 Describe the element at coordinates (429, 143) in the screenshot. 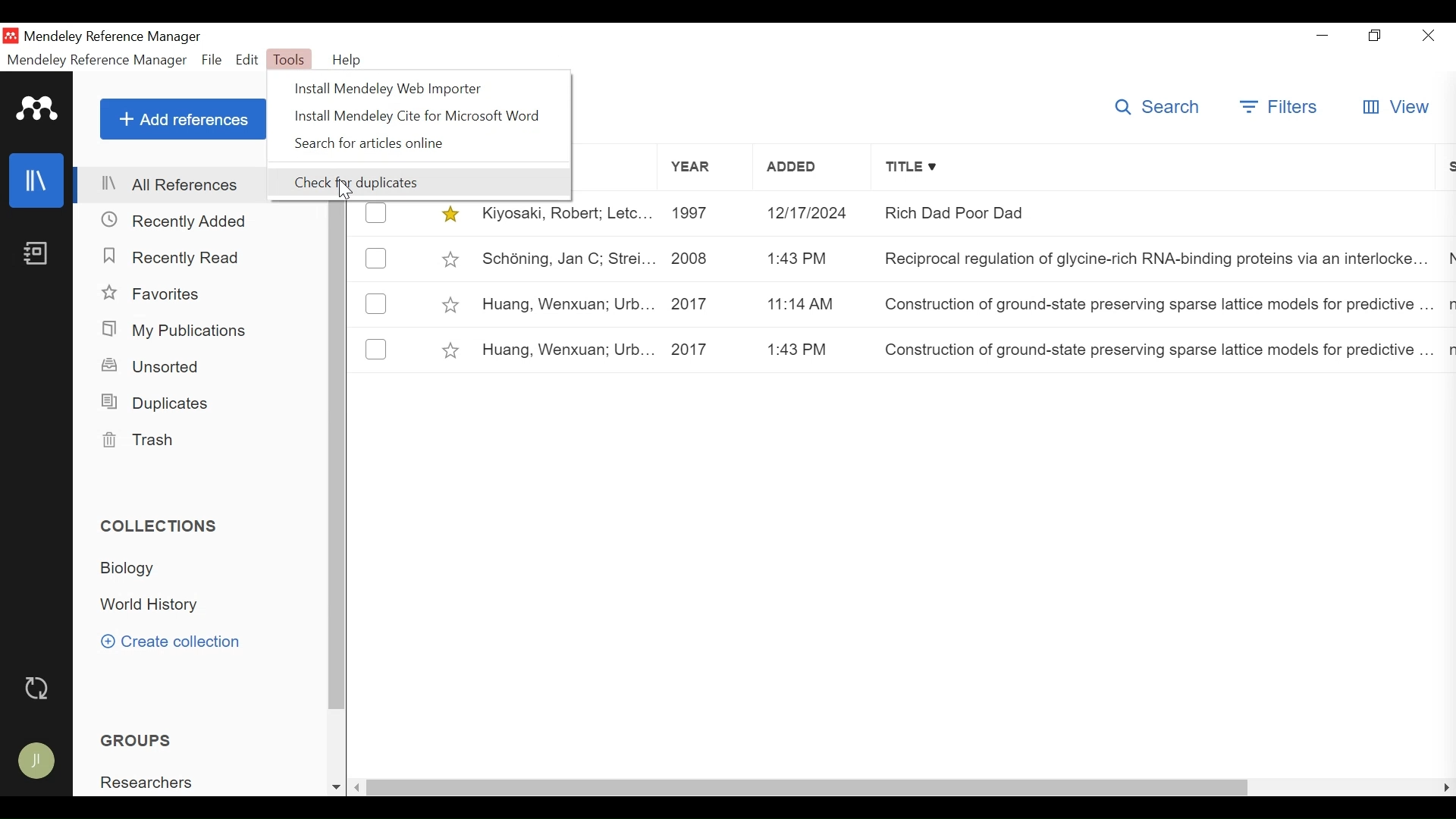

I see `Search for articles` at that location.